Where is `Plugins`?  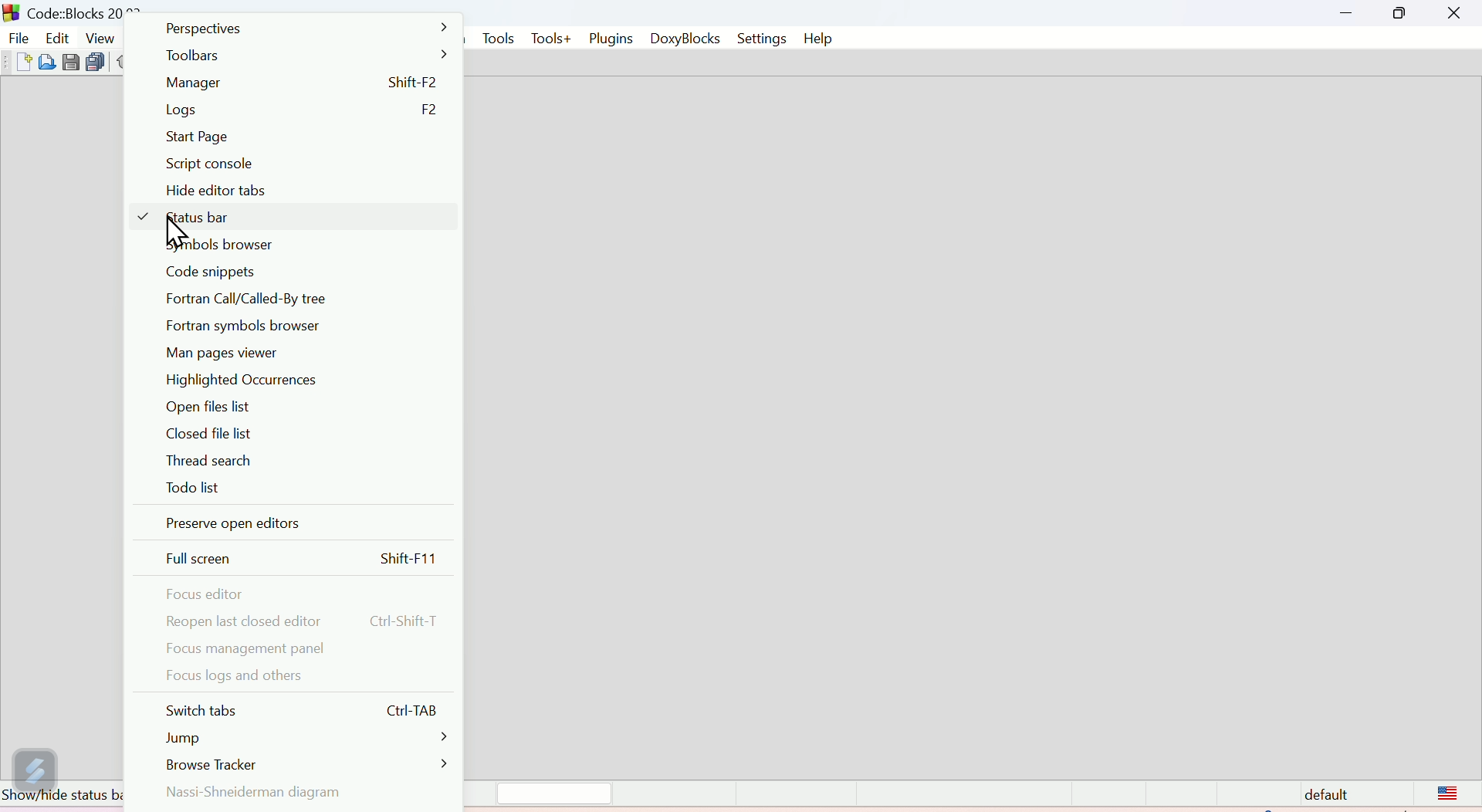
Plugins is located at coordinates (611, 39).